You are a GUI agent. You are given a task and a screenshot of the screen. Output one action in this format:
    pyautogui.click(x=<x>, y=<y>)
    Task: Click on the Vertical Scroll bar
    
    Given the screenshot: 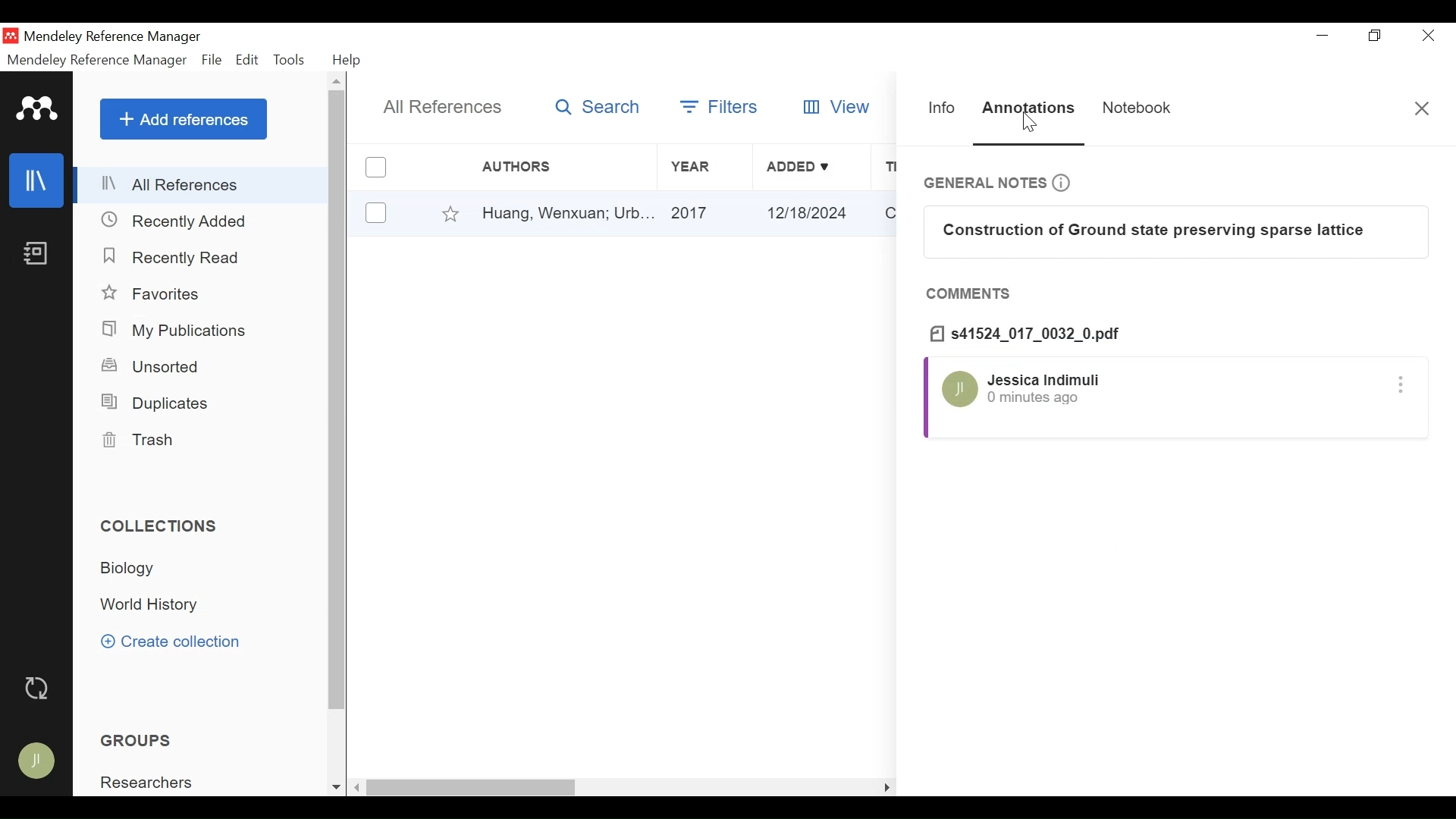 What is the action you would take?
    pyautogui.click(x=339, y=403)
    